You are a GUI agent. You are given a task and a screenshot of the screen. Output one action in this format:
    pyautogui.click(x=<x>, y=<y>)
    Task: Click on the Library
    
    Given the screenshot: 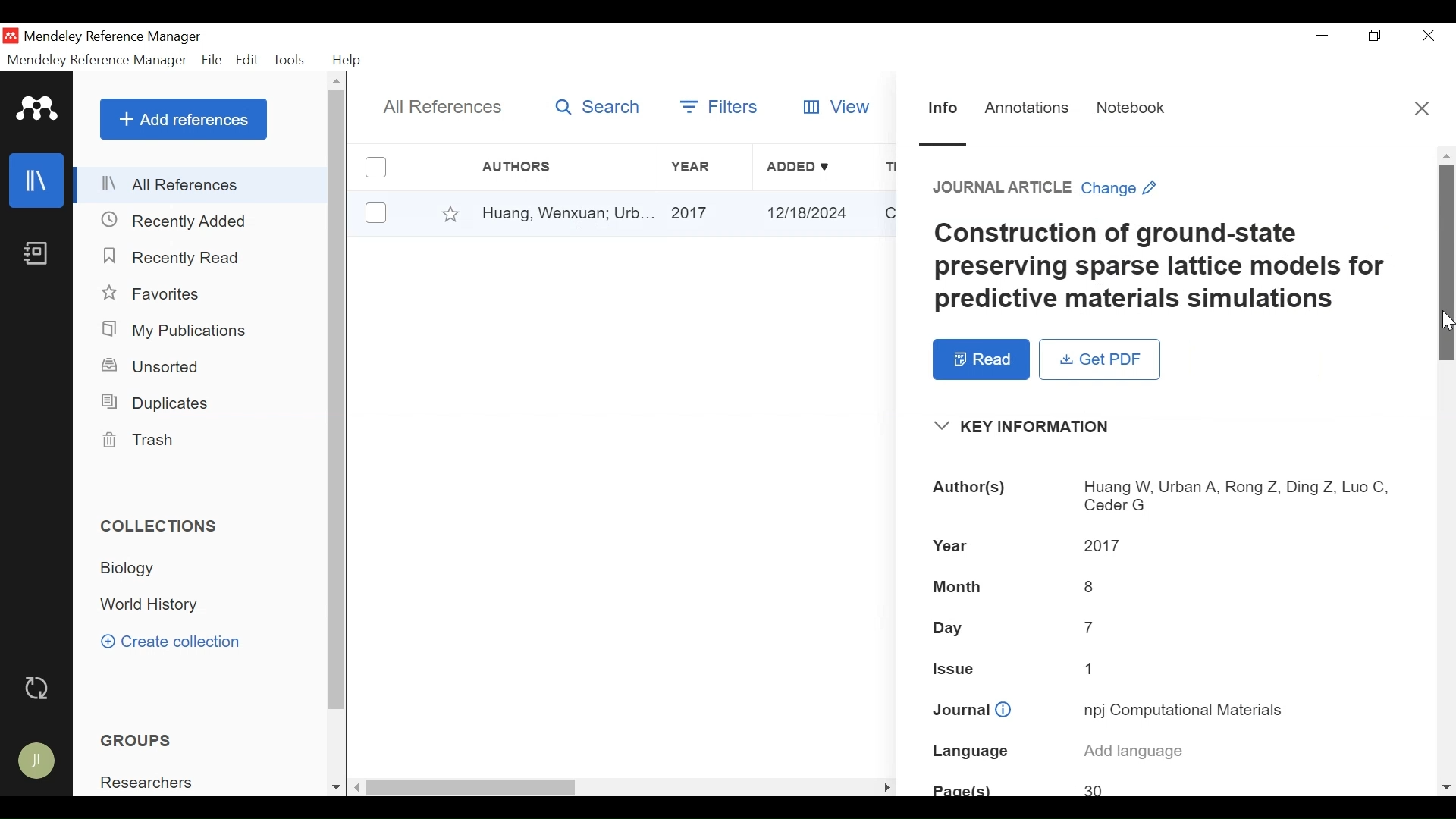 What is the action you would take?
    pyautogui.click(x=39, y=180)
    